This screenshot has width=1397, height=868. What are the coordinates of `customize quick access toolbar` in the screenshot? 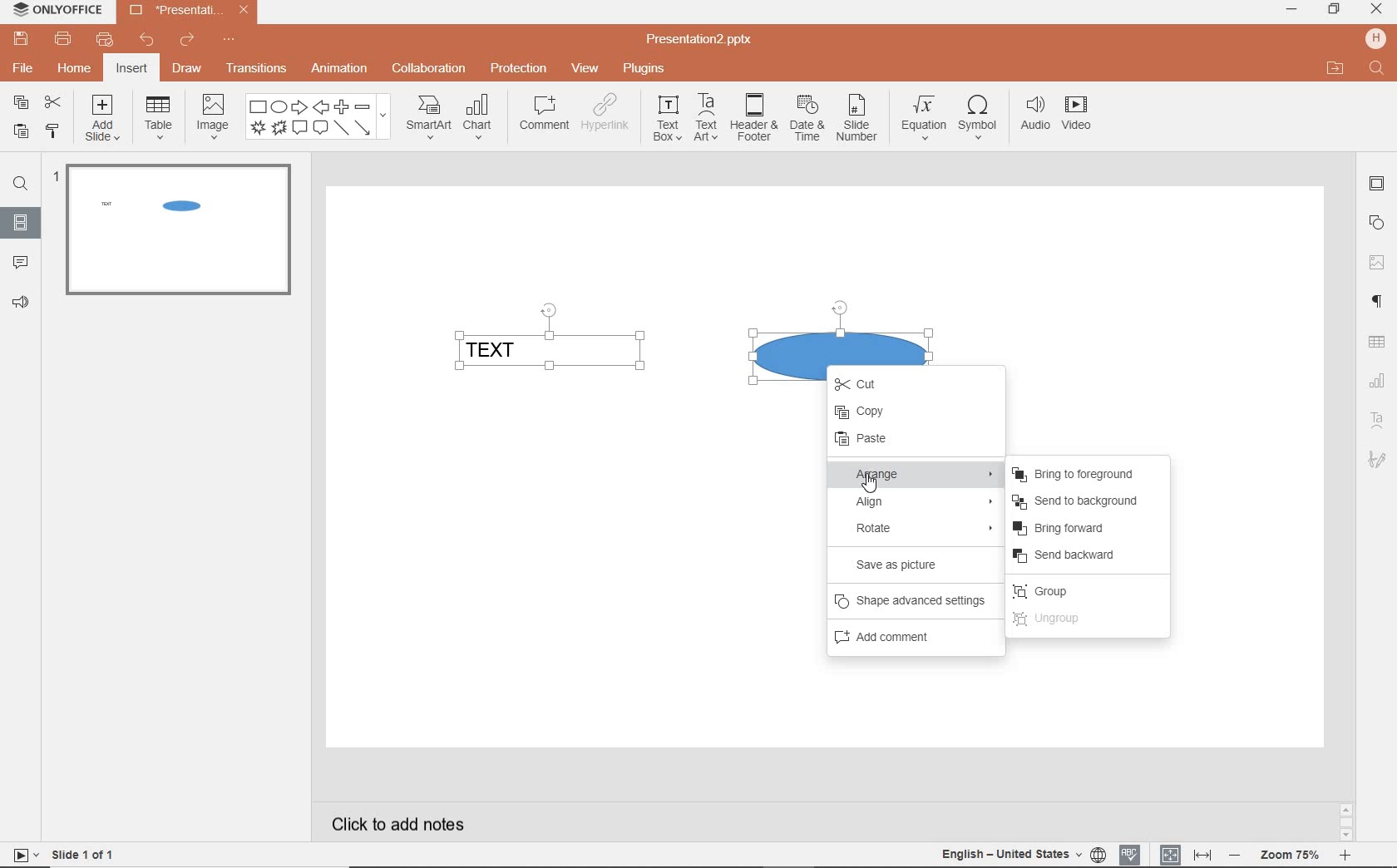 It's located at (228, 40).